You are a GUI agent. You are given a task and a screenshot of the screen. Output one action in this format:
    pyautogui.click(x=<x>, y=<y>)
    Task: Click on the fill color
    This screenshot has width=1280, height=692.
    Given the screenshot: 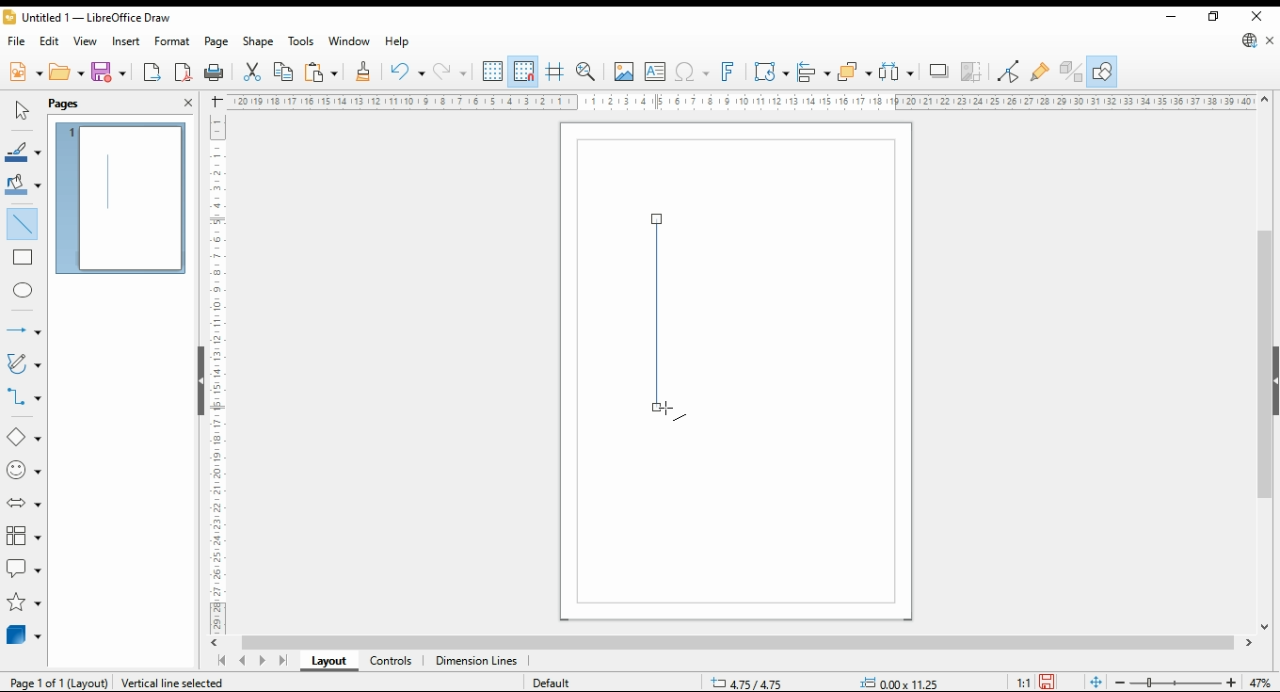 What is the action you would take?
    pyautogui.click(x=22, y=184)
    